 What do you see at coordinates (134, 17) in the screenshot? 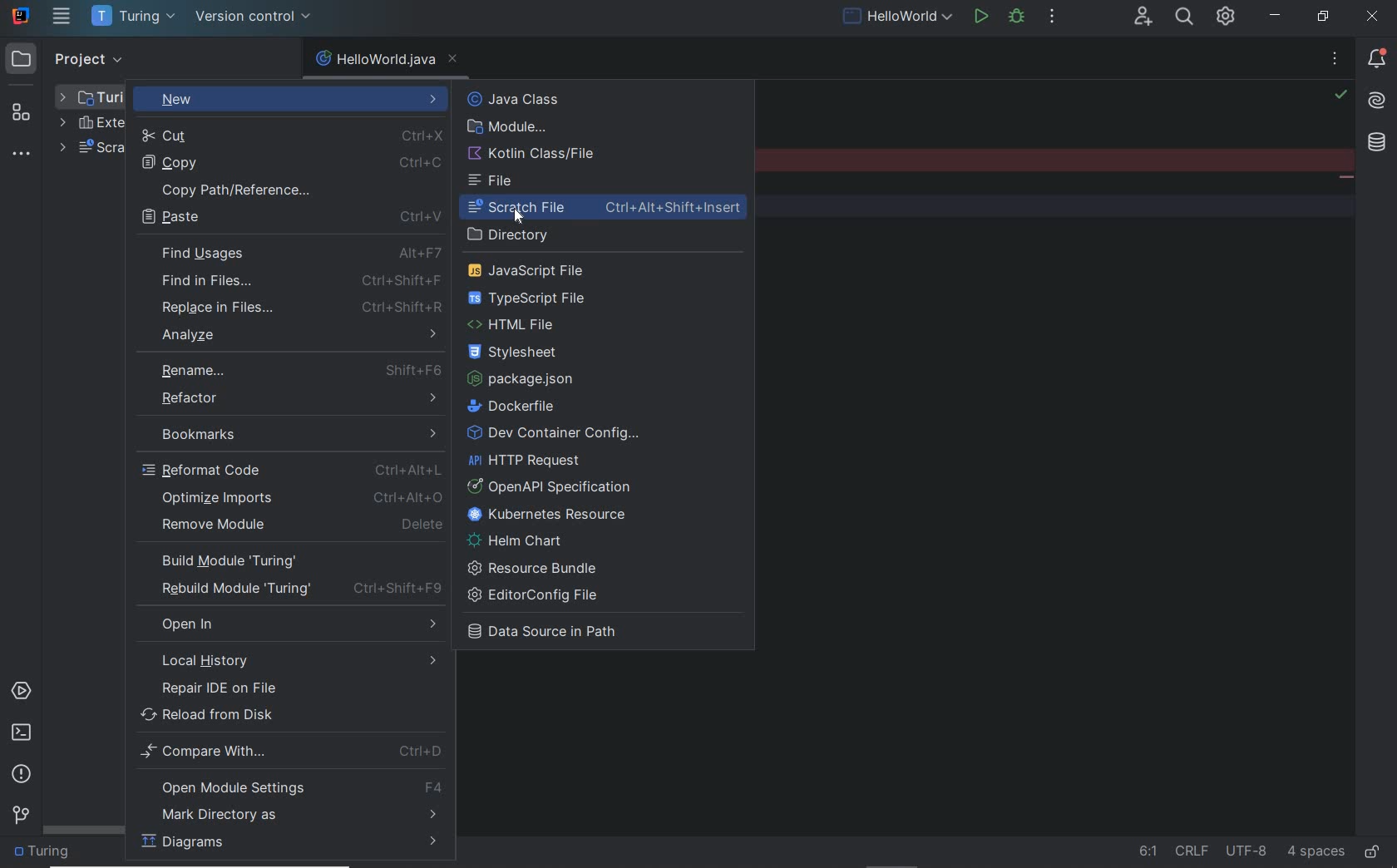
I see `project name` at bounding box center [134, 17].